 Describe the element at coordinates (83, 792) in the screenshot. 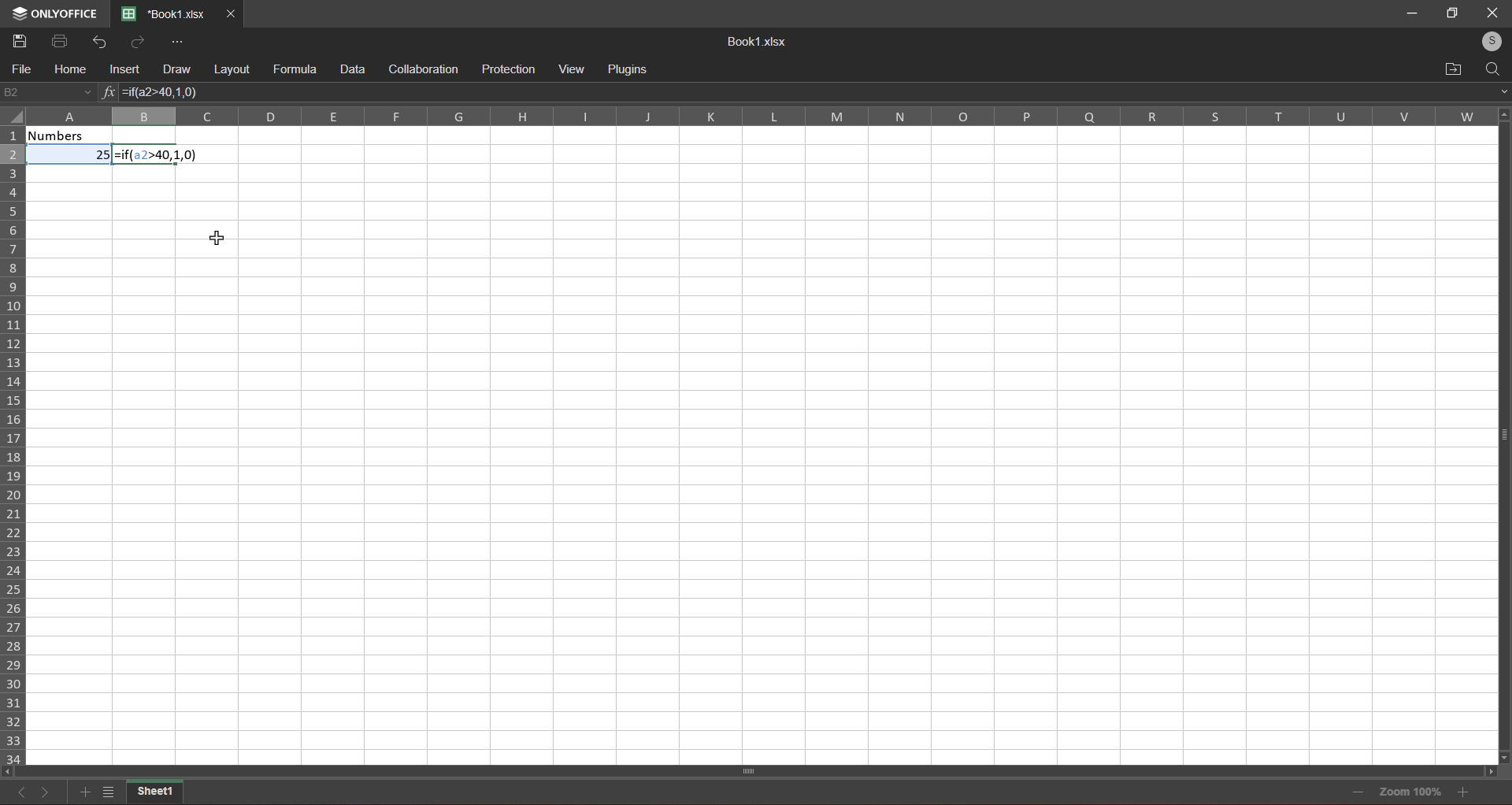

I see `add sheet` at that location.